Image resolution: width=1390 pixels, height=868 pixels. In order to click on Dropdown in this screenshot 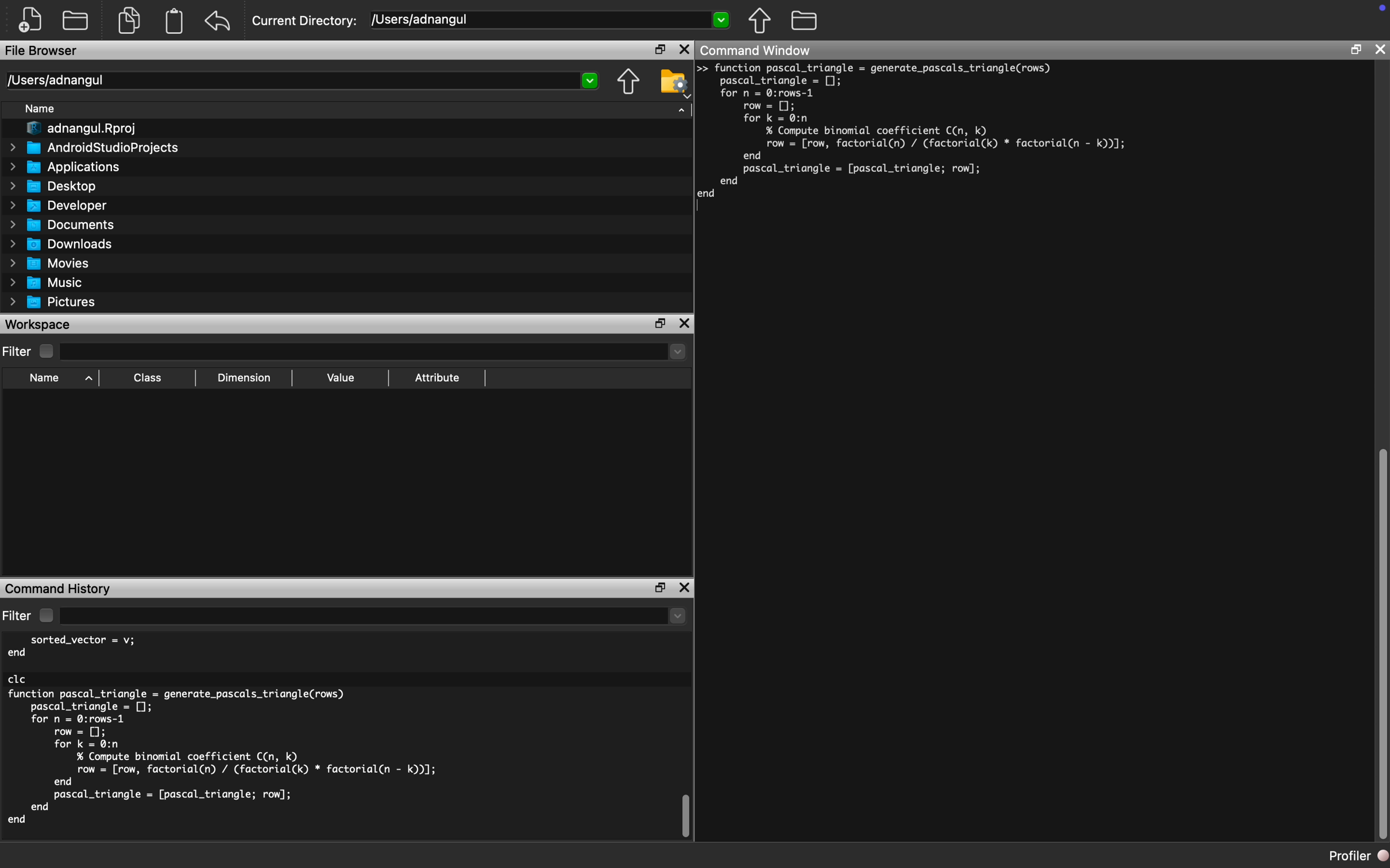, I will do `click(372, 352)`.